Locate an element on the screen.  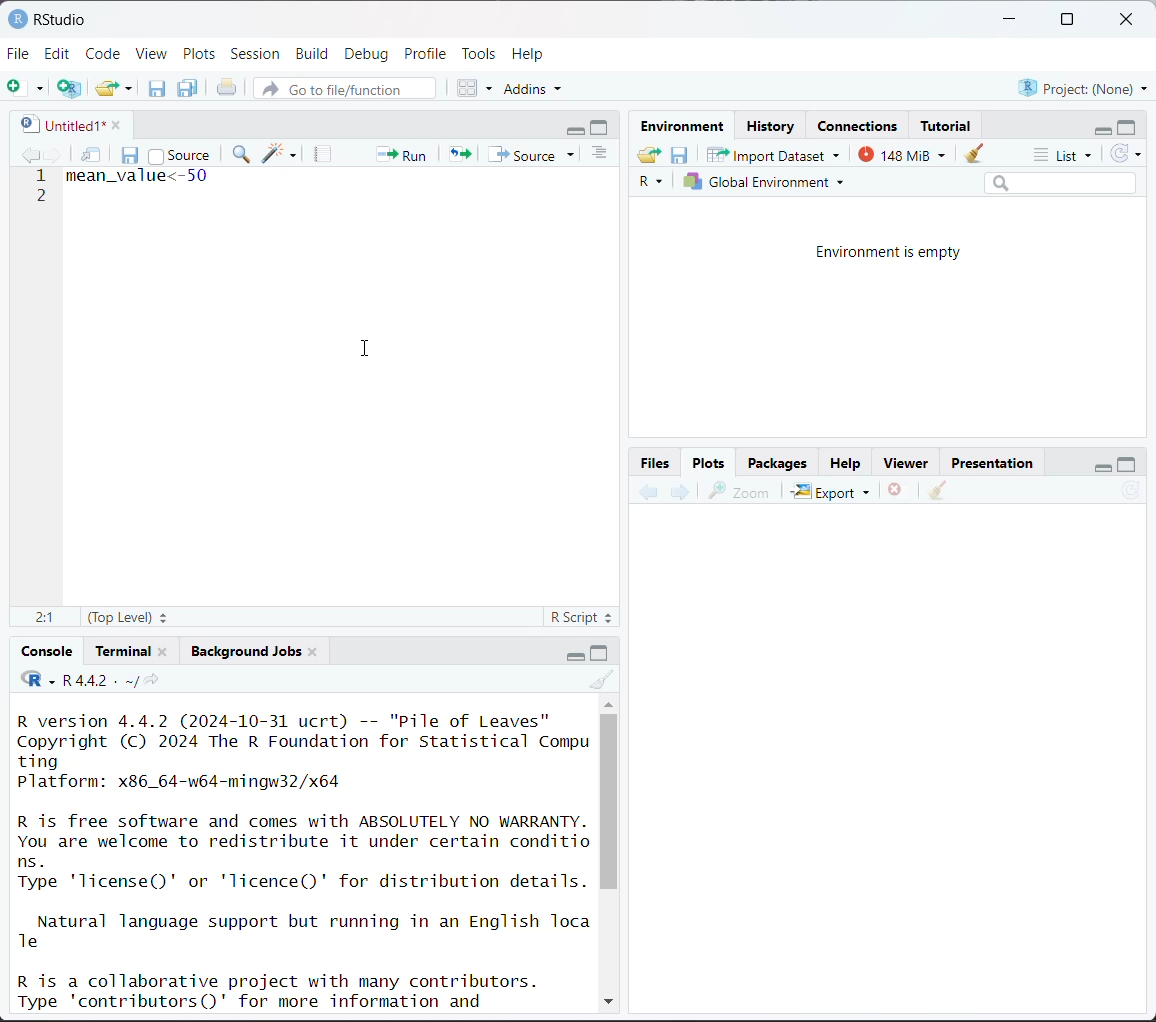
save workspace as is located at coordinates (680, 156).